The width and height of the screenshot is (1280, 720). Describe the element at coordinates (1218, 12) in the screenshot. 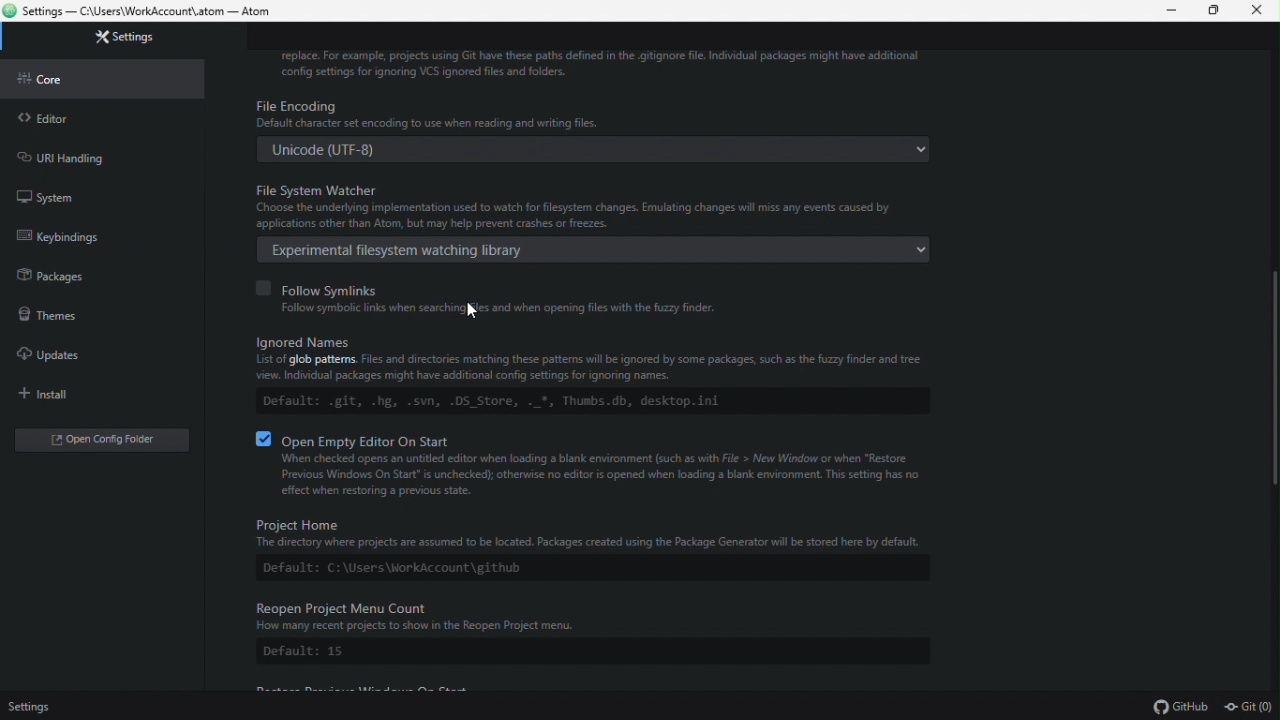

I see `restore` at that location.